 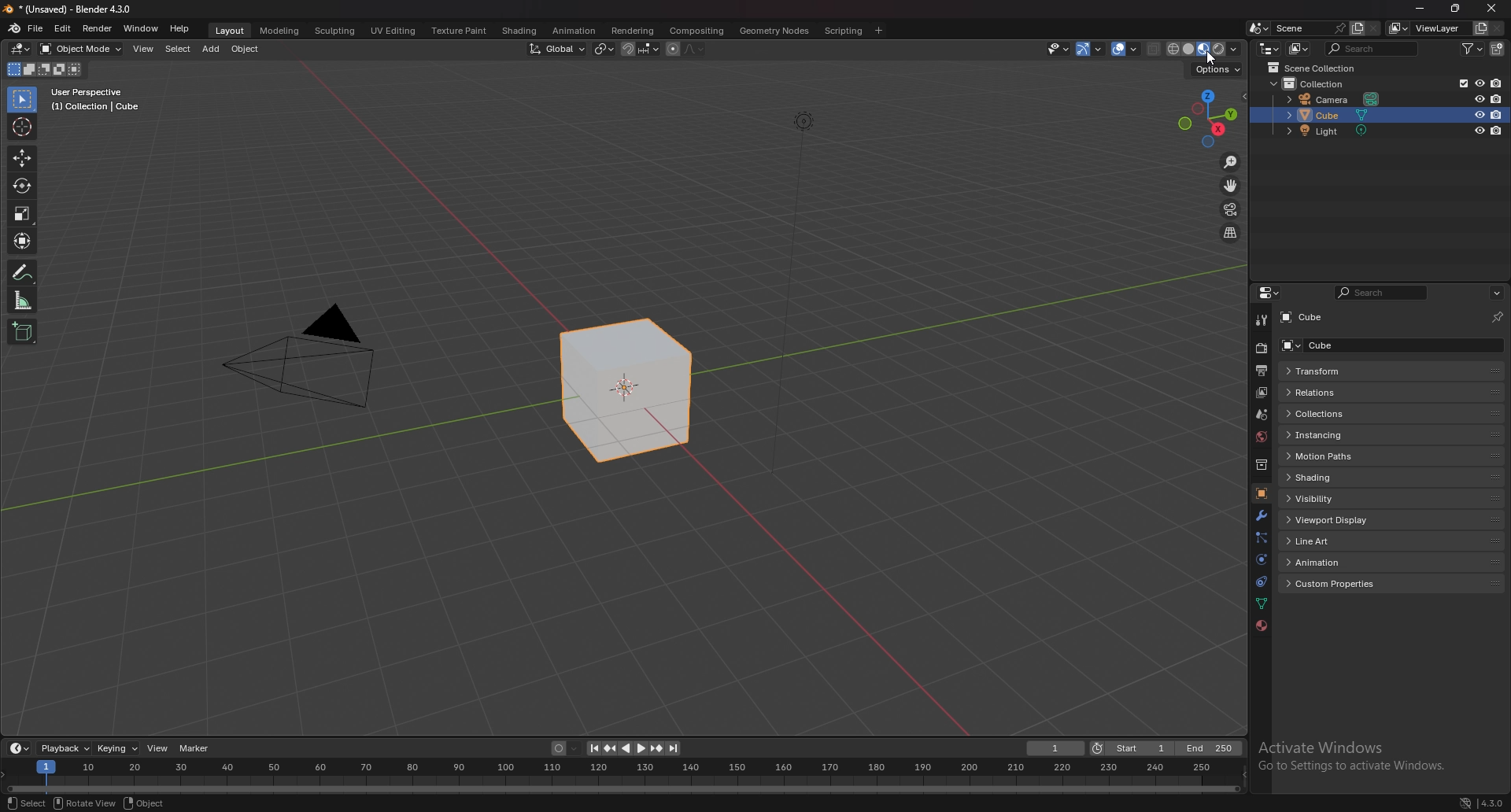 What do you see at coordinates (1262, 464) in the screenshot?
I see `collection` at bounding box center [1262, 464].